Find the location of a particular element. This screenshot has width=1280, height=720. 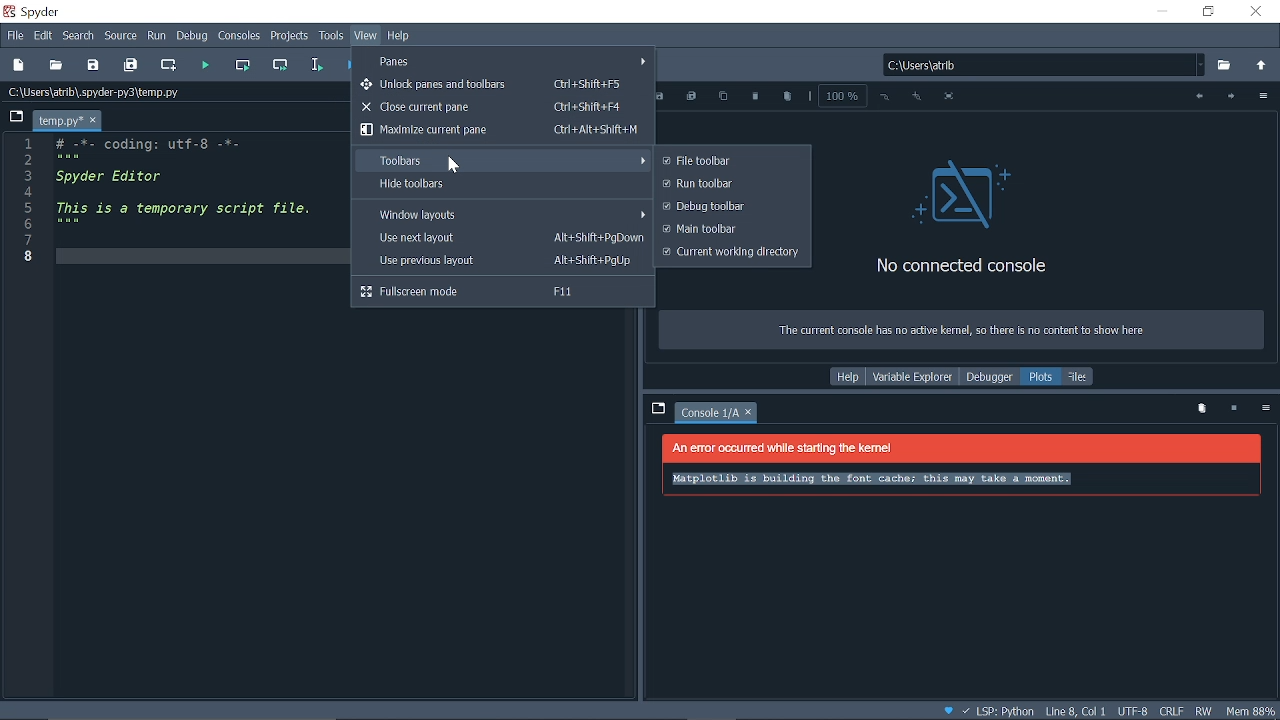

 is located at coordinates (751, 412).